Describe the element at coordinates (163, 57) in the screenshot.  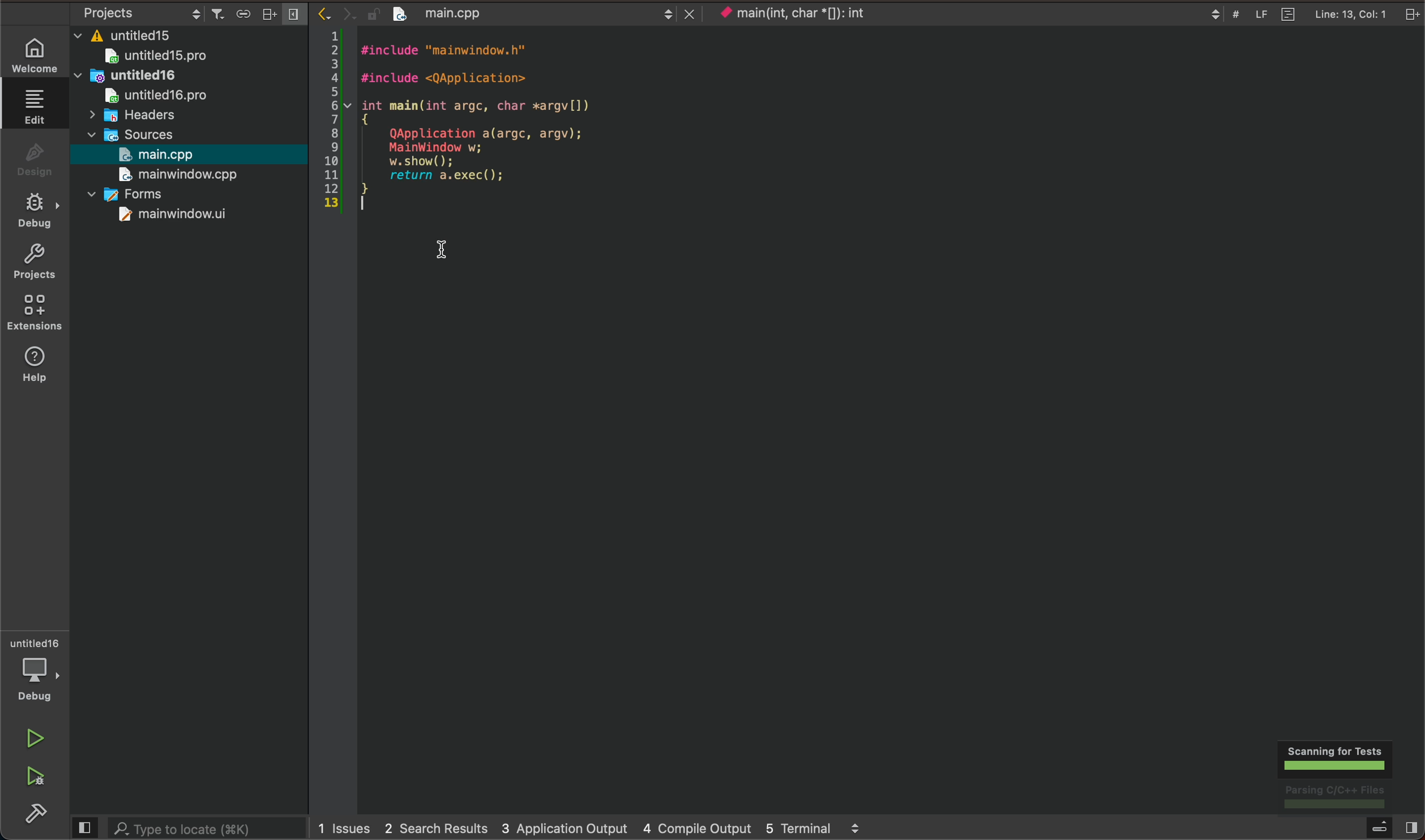
I see `untitled15pro` at that location.